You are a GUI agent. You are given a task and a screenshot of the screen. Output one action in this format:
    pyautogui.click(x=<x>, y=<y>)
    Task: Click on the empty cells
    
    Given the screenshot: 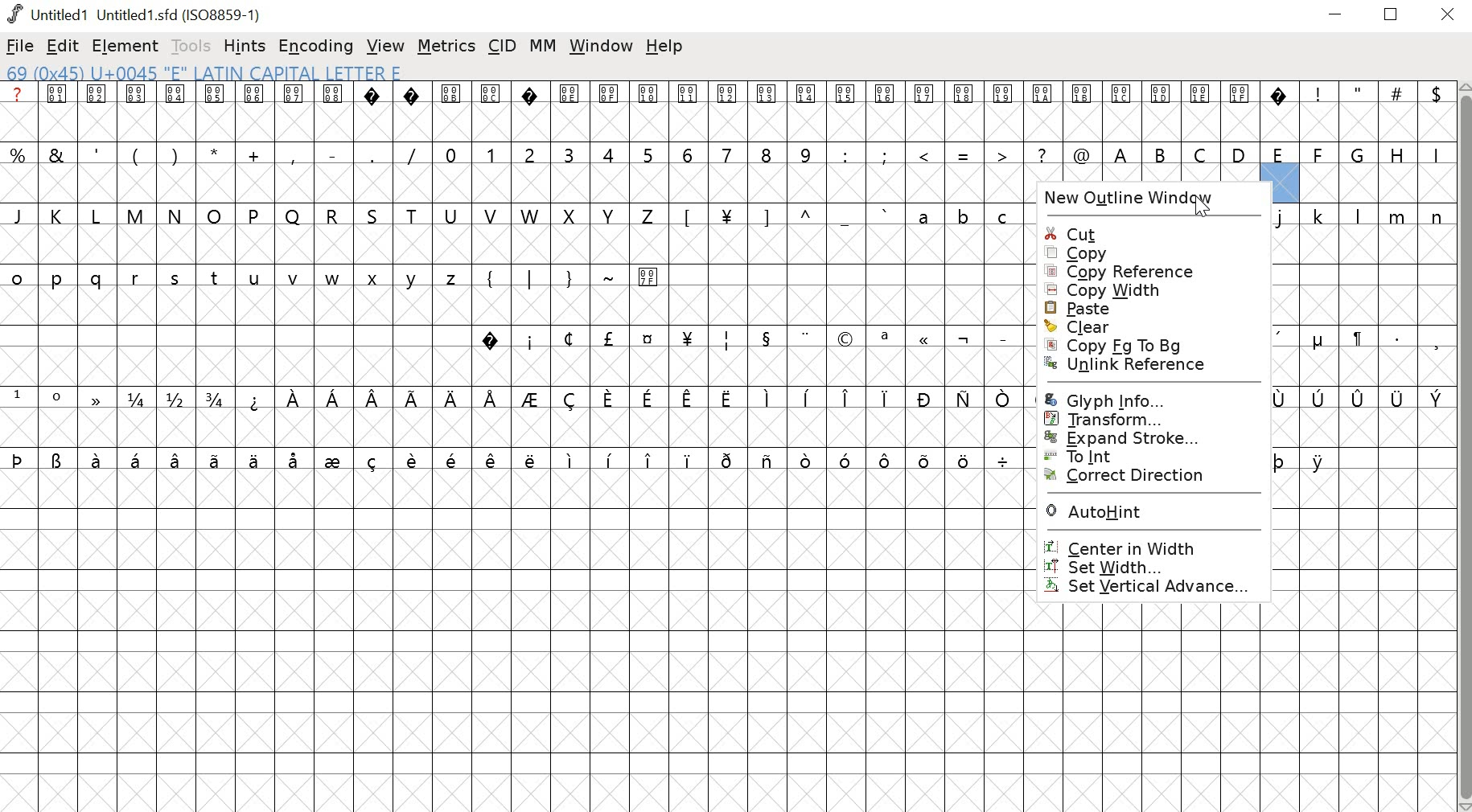 What is the action you would take?
    pyautogui.click(x=1361, y=184)
    